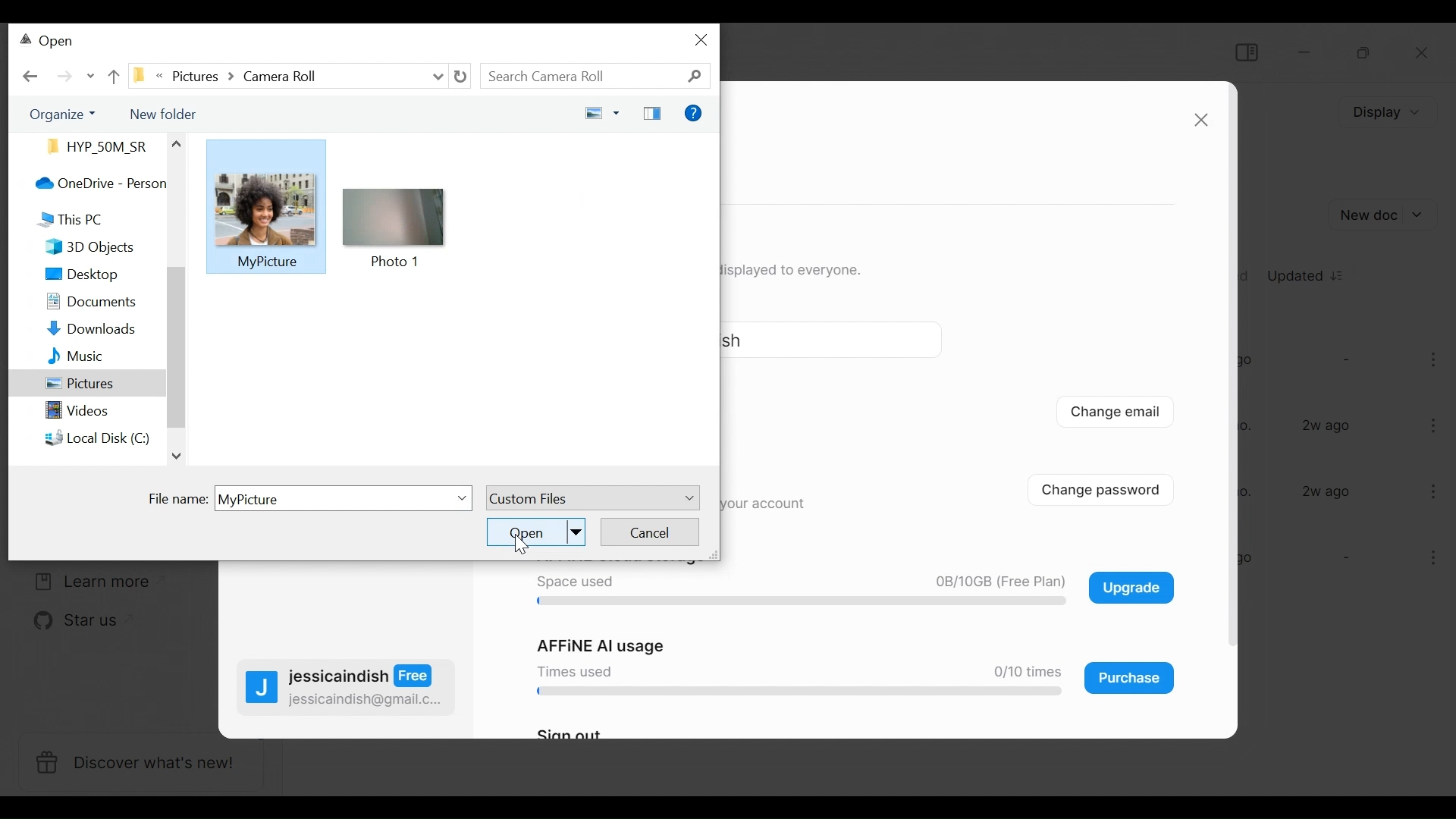 The height and width of the screenshot is (819, 1456). I want to click on down, so click(180, 457).